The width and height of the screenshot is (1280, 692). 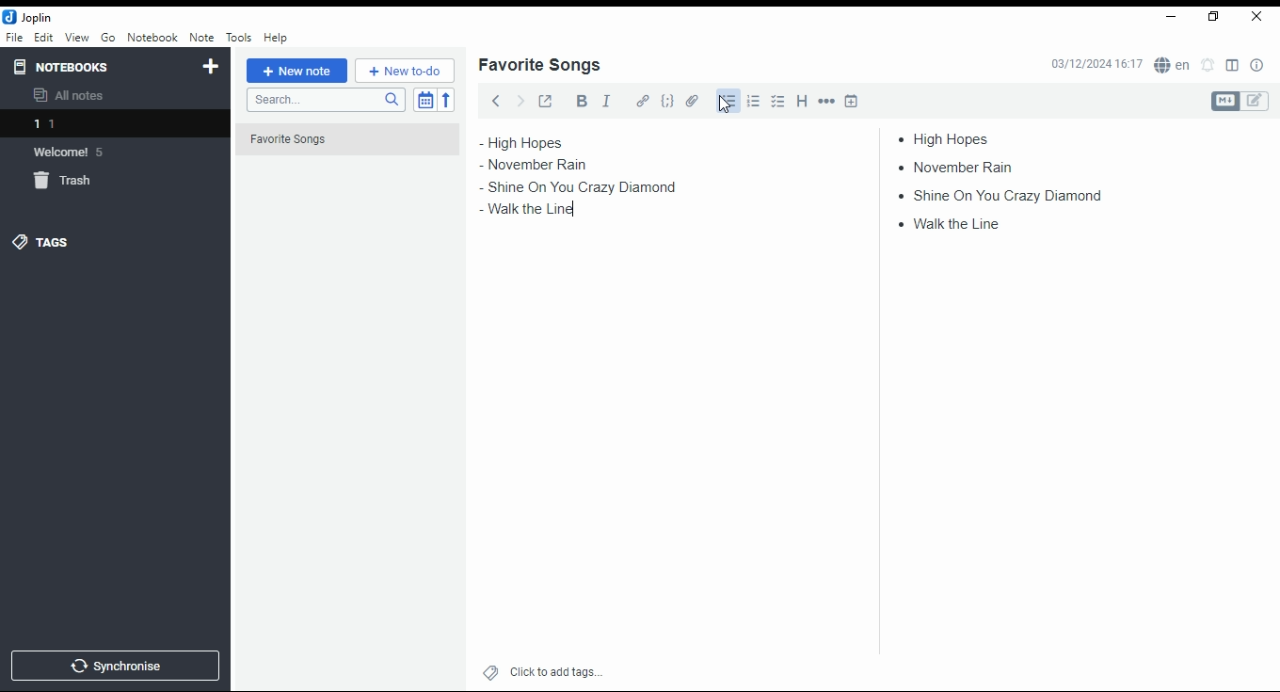 What do you see at coordinates (803, 99) in the screenshot?
I see `heading` at bounding box center [803, 99].